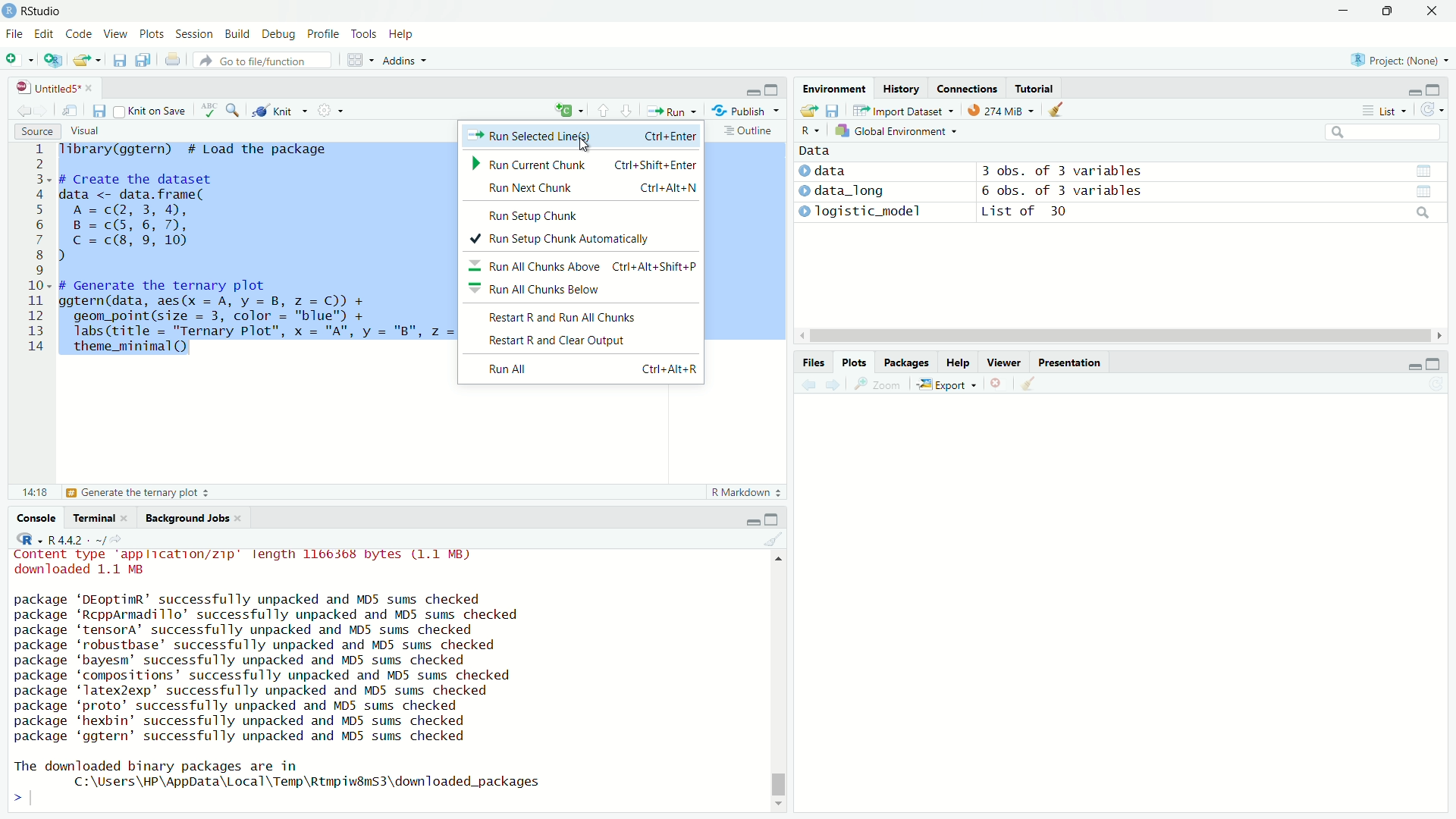  I want to click on grid, so click(361, 62).